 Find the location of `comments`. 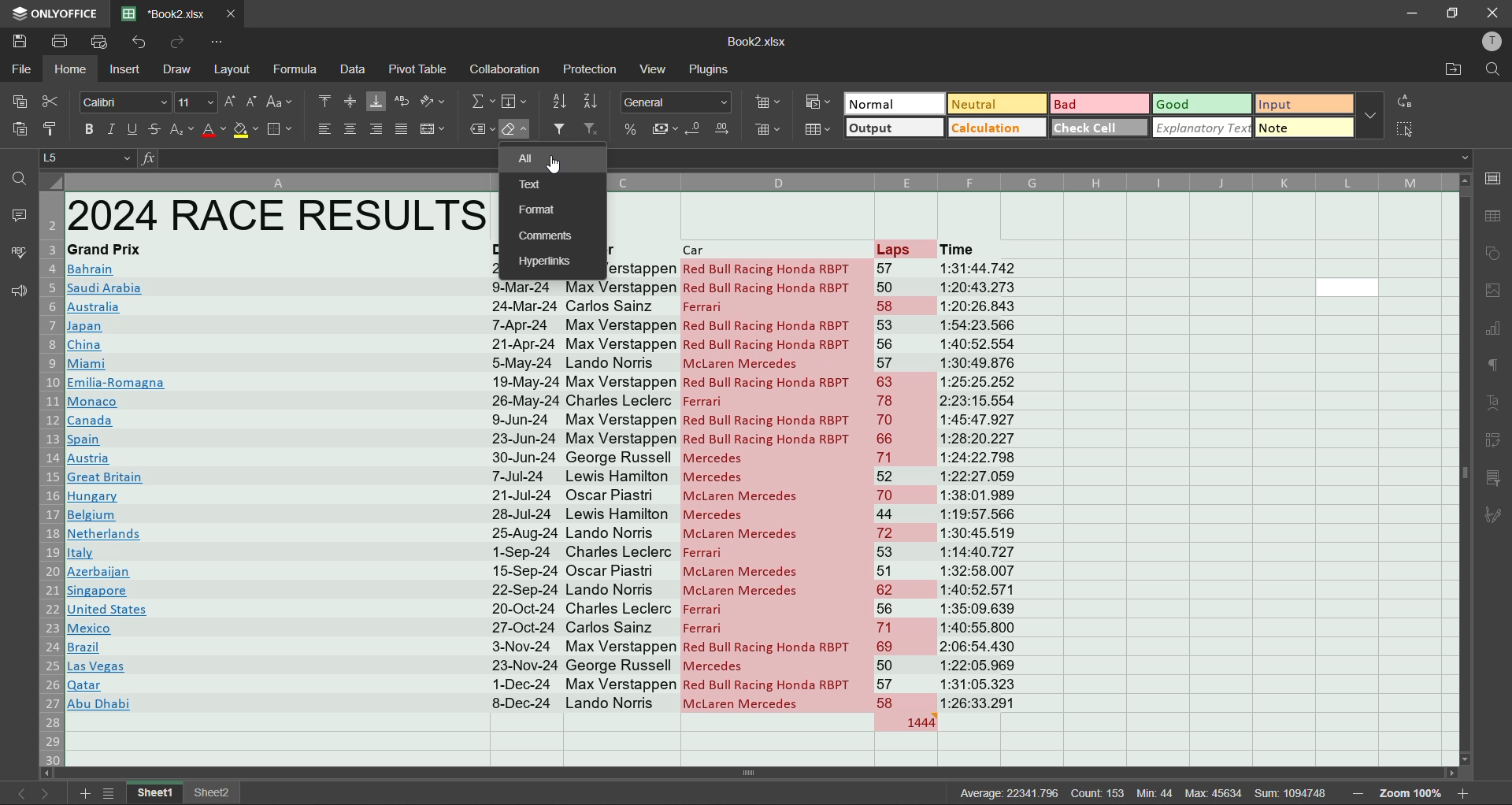

comments is located at coordinates (547, 236).